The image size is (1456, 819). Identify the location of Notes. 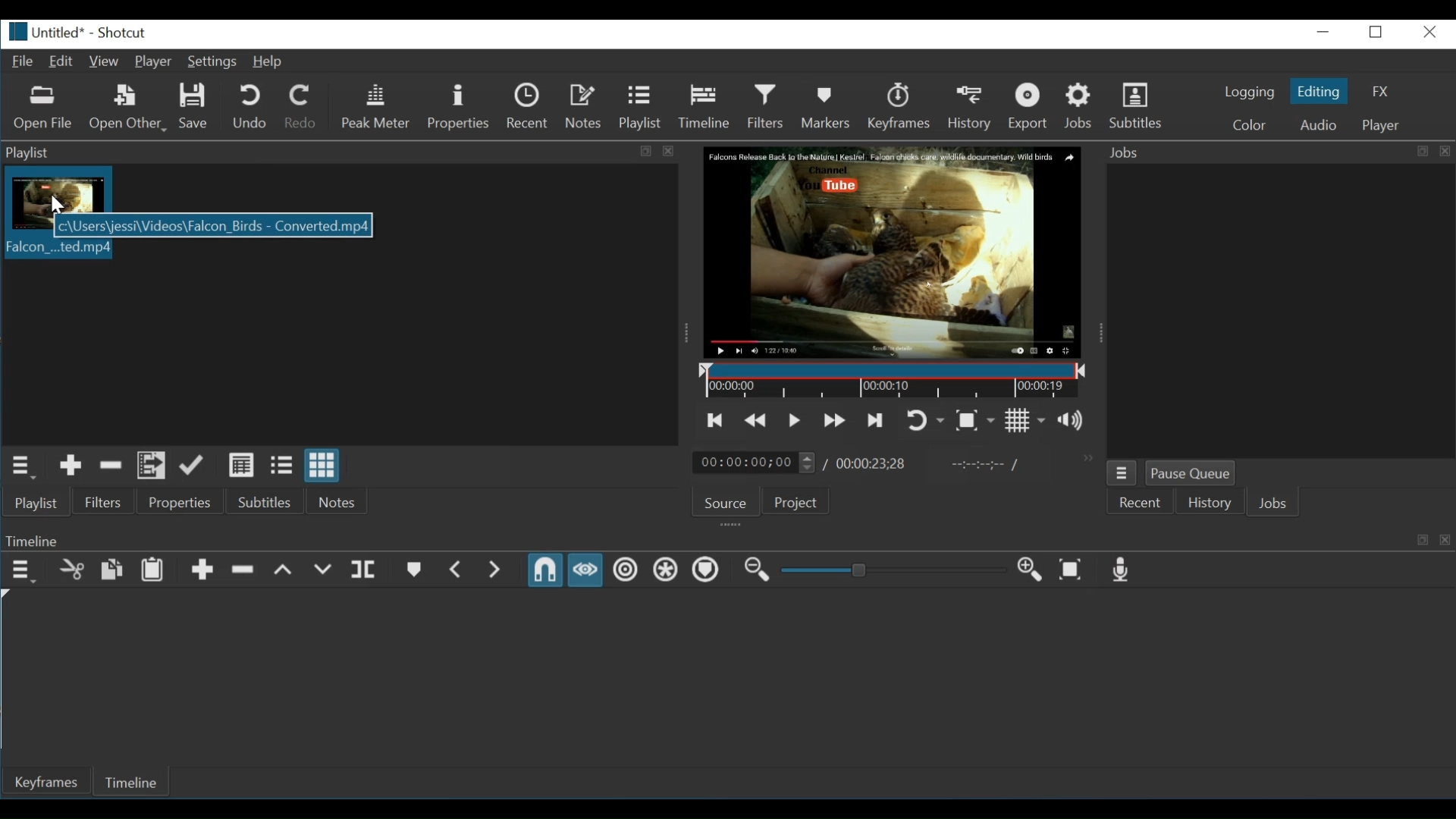
(338, 500).